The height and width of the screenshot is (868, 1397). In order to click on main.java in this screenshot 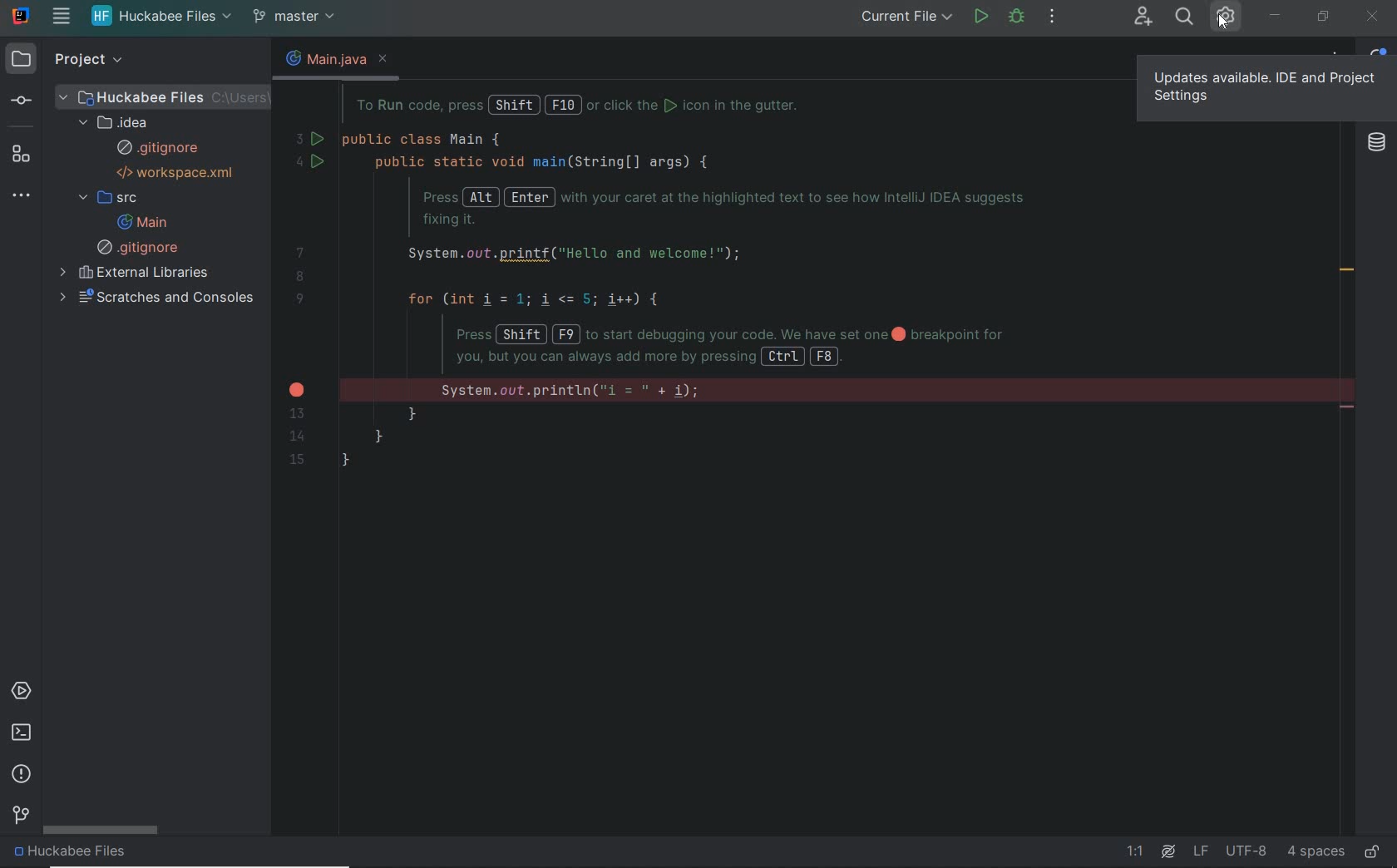, I will do `click(324, 58)`.